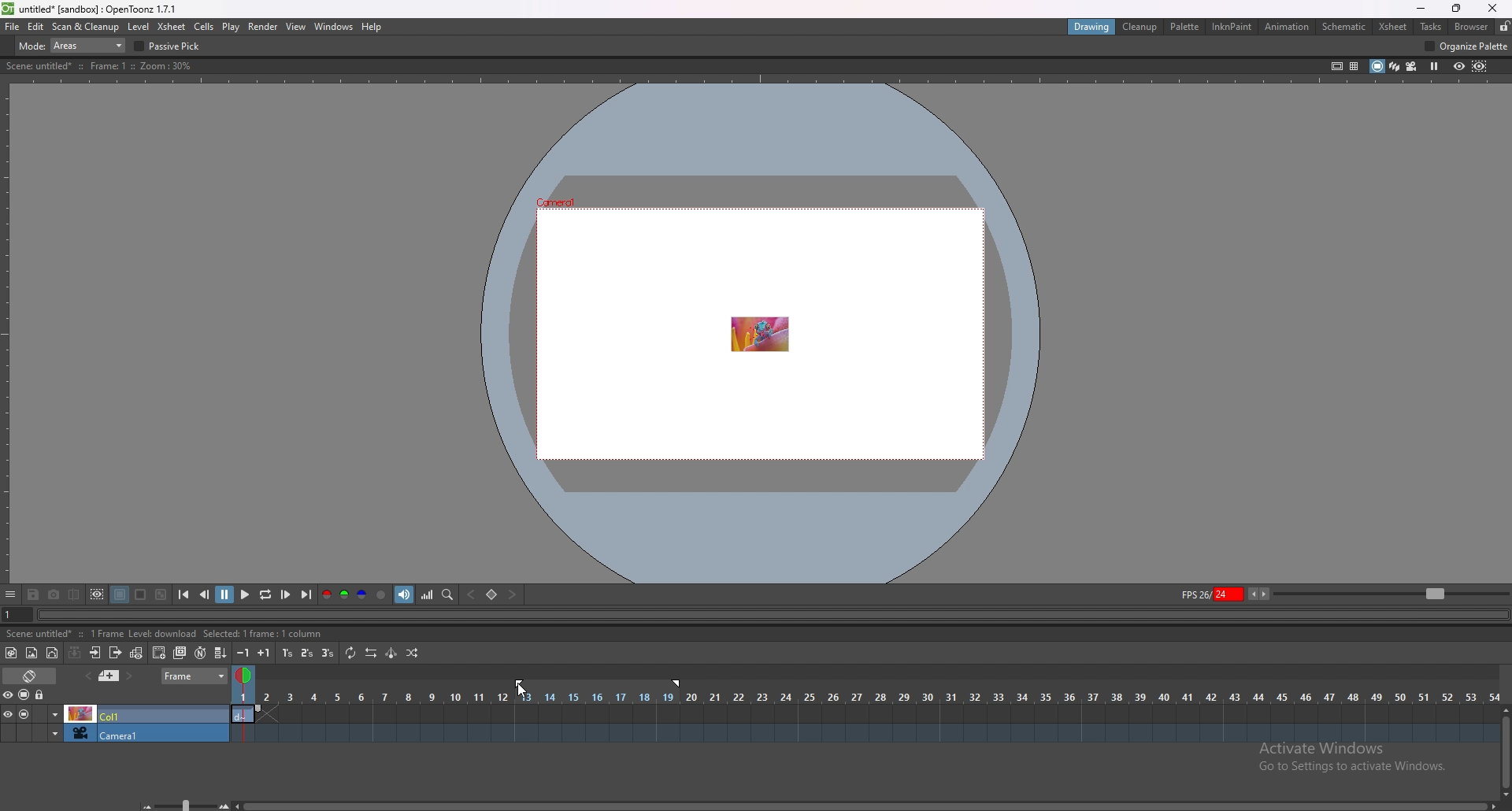 The height and width of the screenshot is (811, 1512). I want to click on green channel, so click(345, 594).